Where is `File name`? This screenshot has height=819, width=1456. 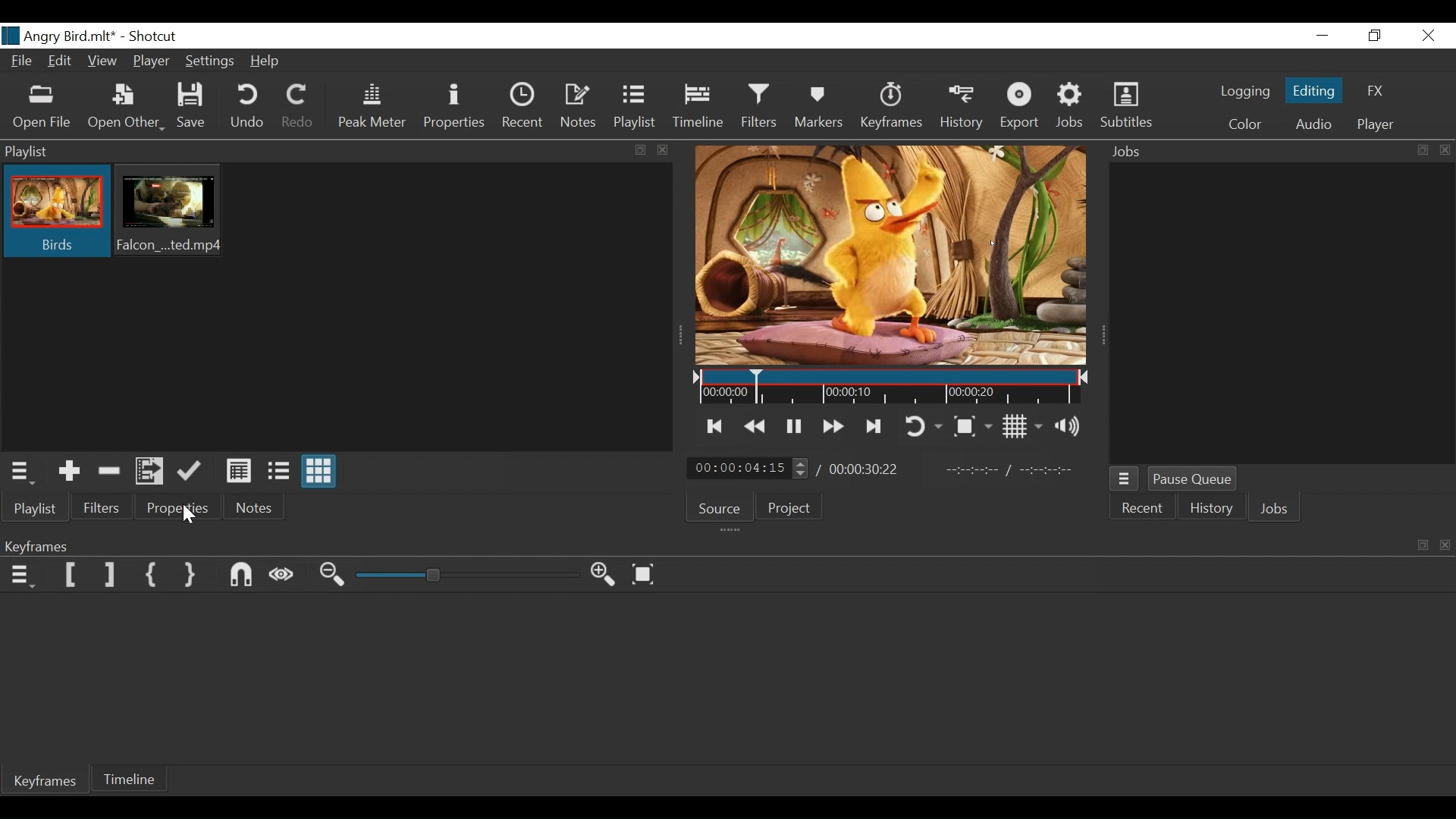 File name is located at coordinates (58, 36).